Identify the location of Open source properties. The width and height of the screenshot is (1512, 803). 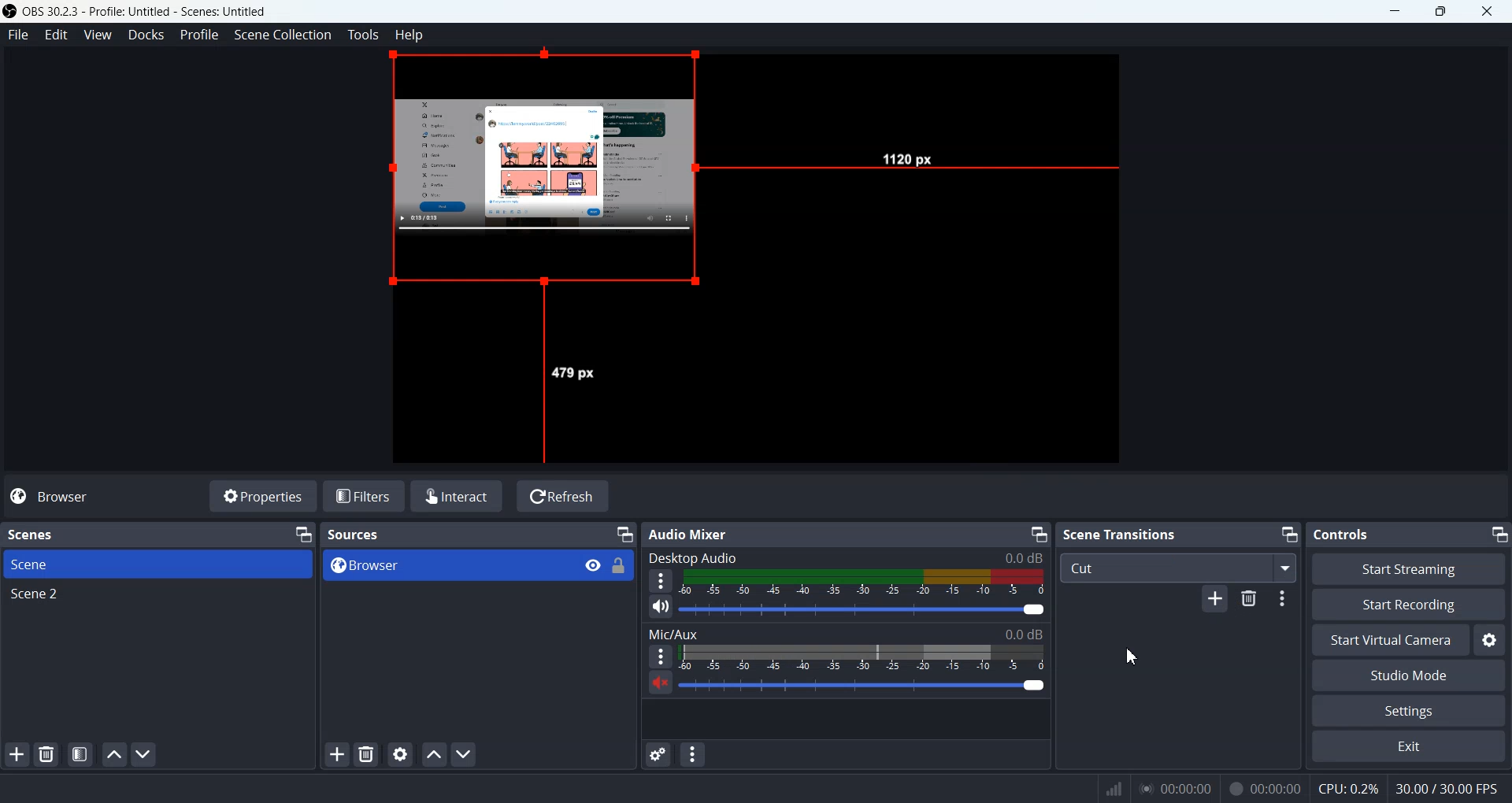
(400, 753).